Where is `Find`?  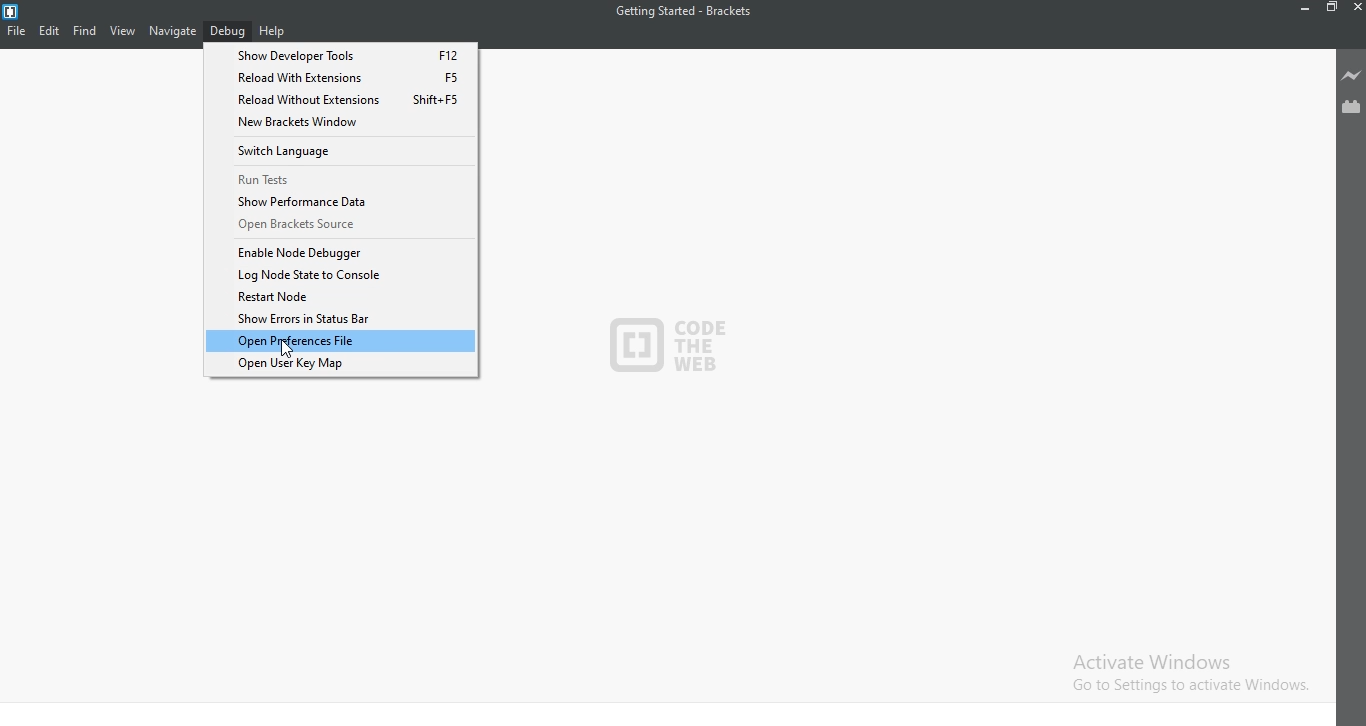
Find is located at coordinates (85, 30).